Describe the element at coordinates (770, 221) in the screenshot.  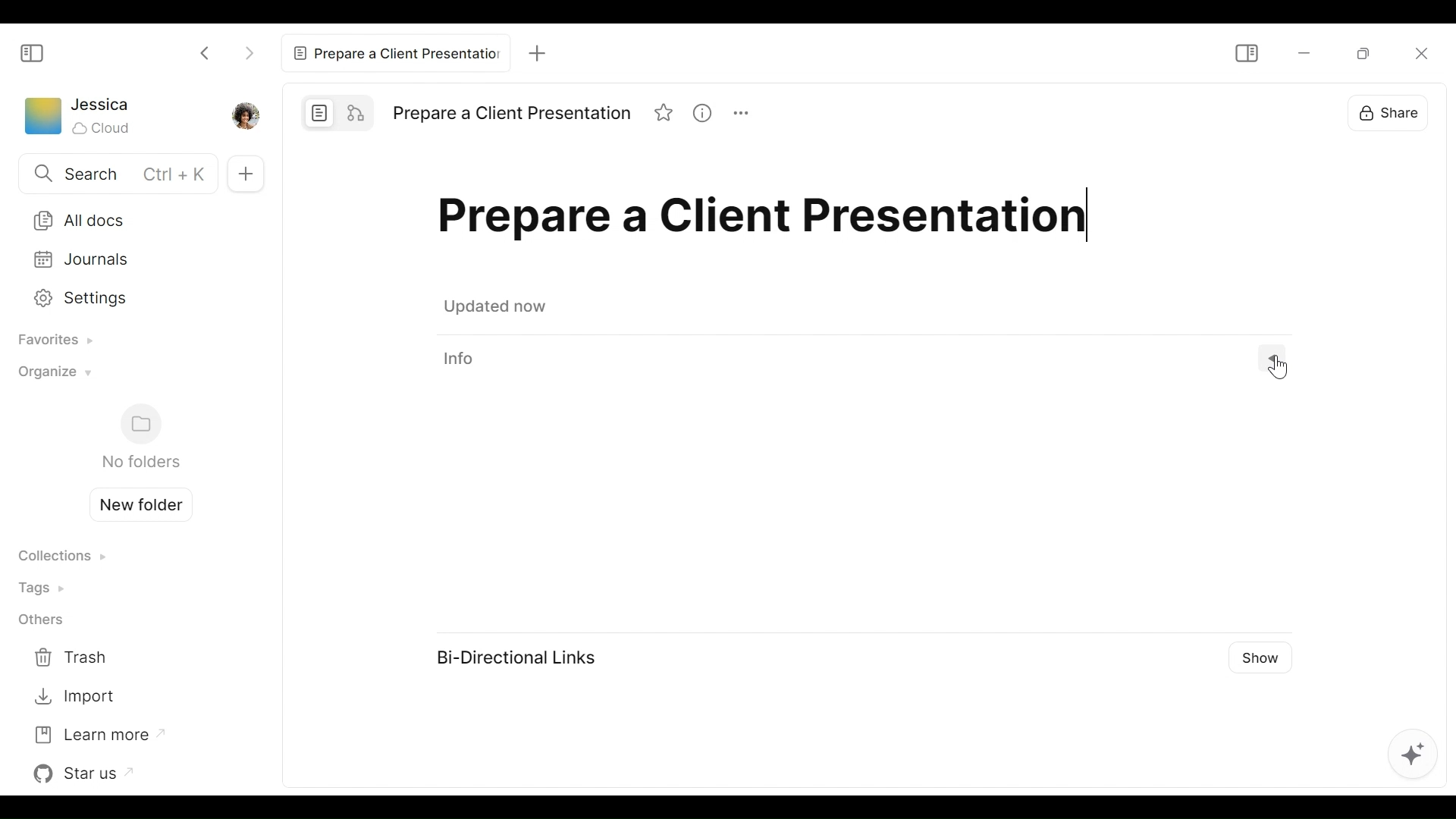
I see `Title` at that location.